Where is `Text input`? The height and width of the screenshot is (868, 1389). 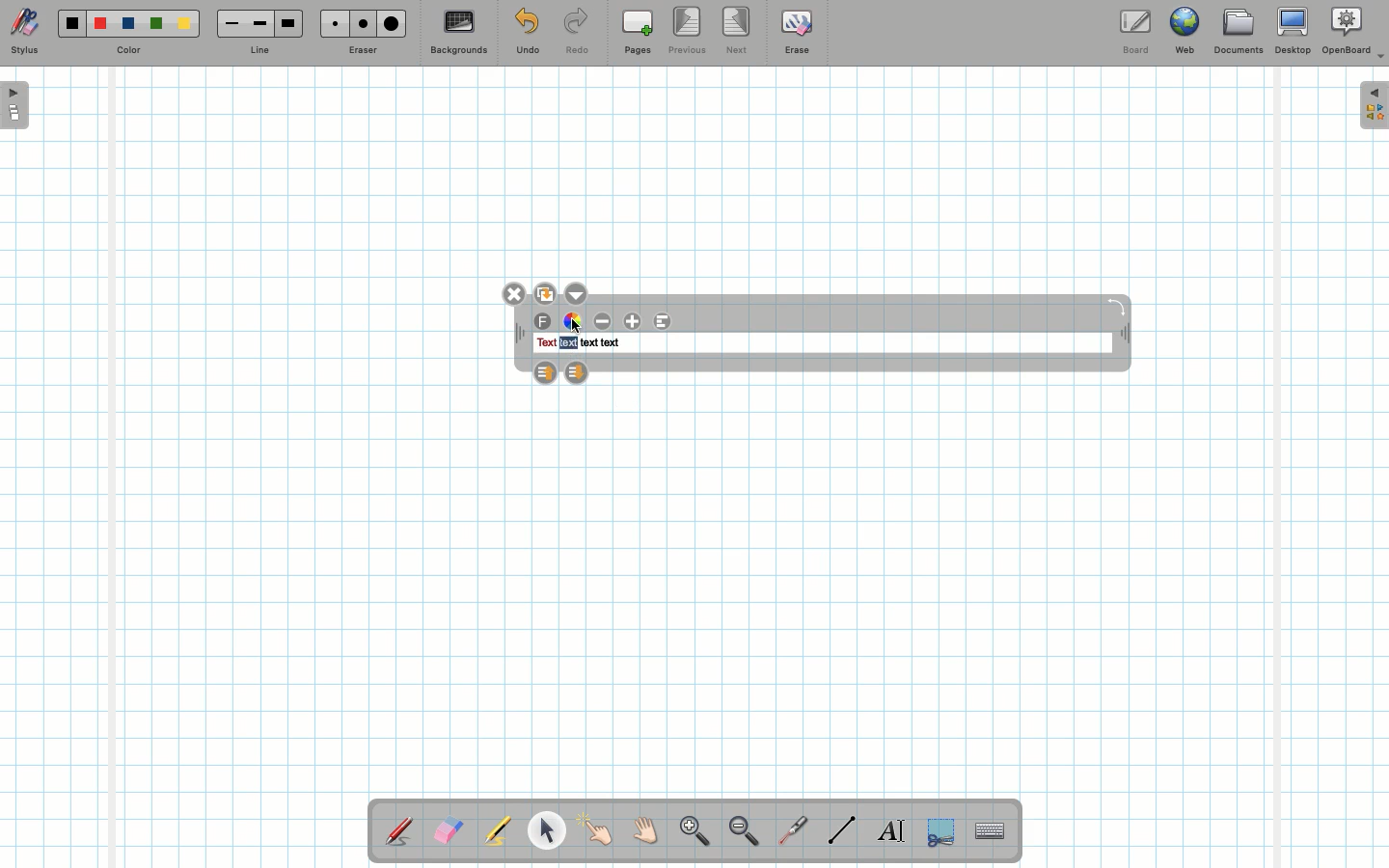 Text input is located at coordinates (991, 826).